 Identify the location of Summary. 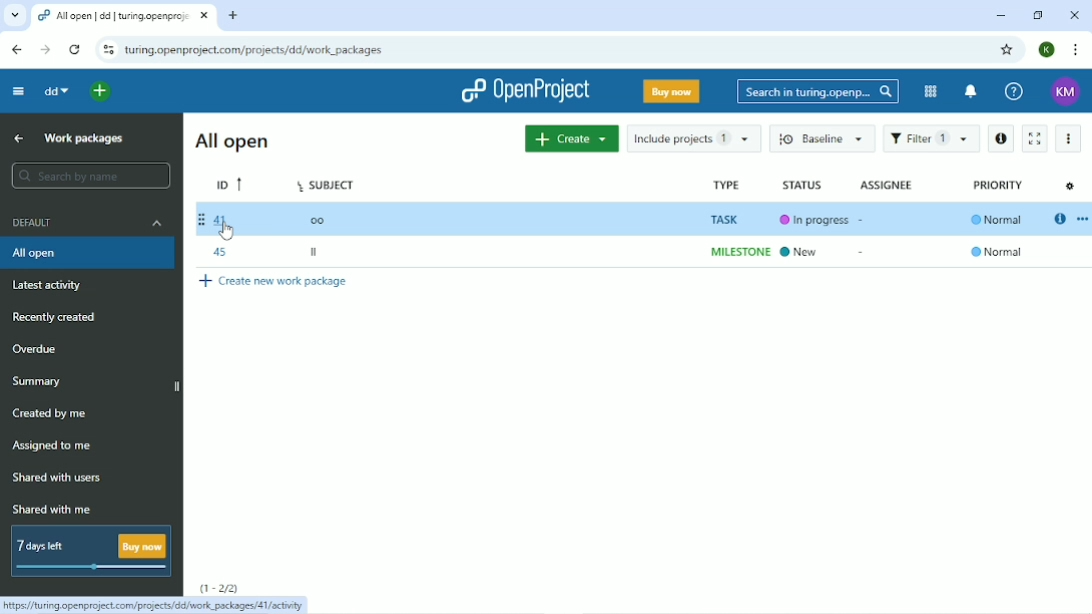
(38, 382).